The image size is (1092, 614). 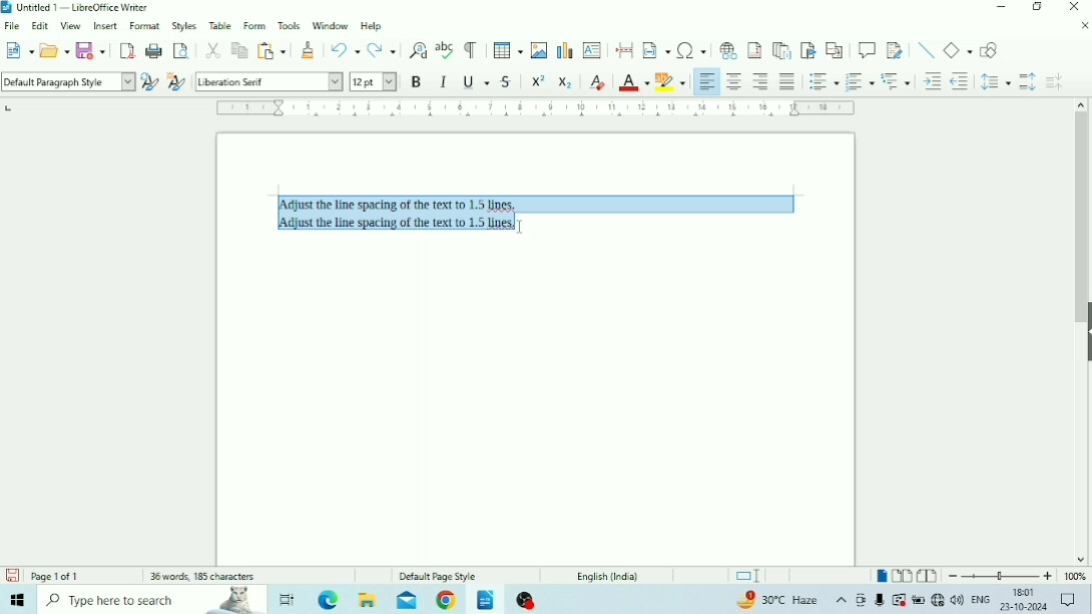 What do you see at coordinates (787, 82) in the screenshot?
I see `Justified` at bounding box center [787, 82].